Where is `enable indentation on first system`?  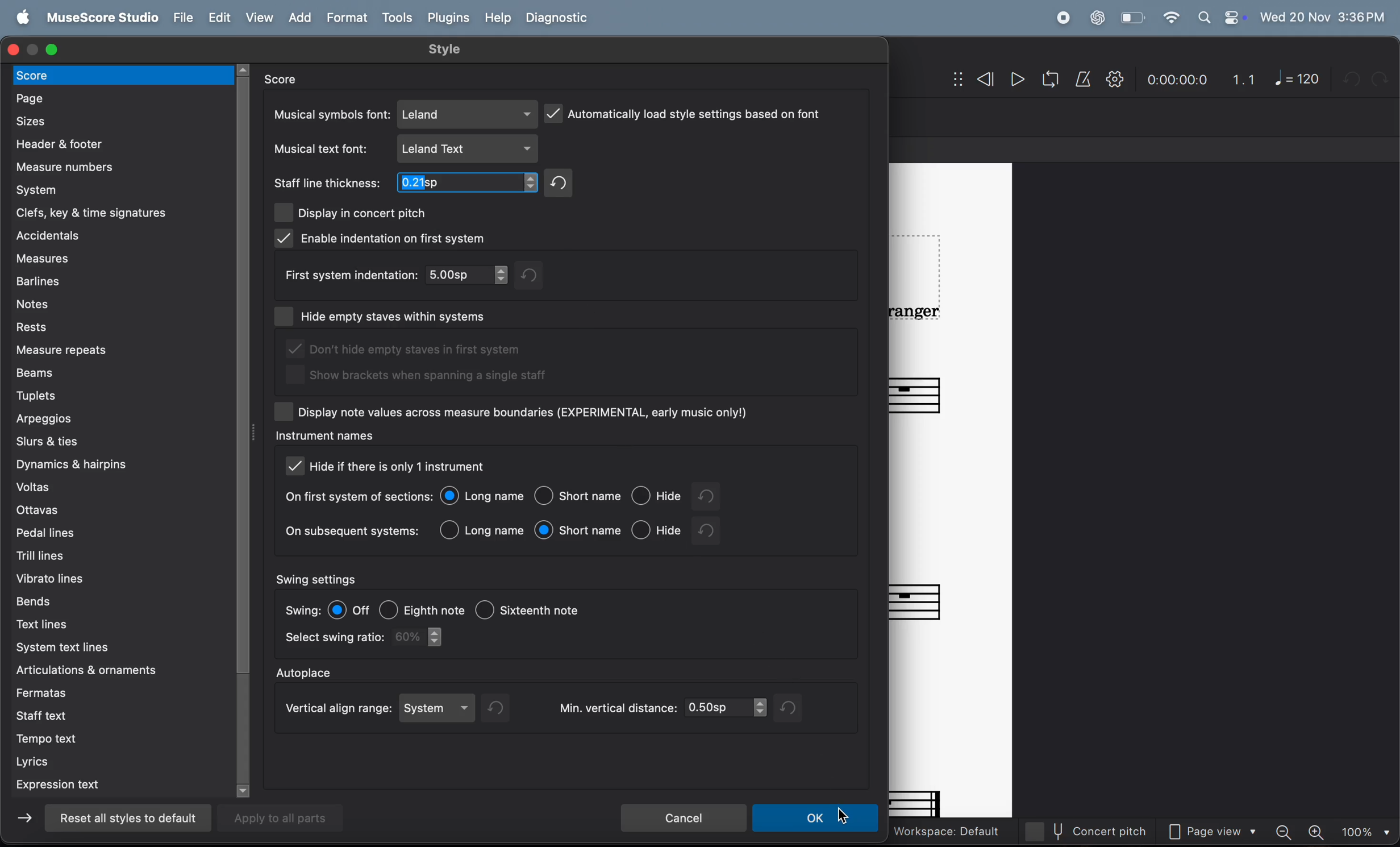
enable indentation on first system is located at coordinates (383, 239).